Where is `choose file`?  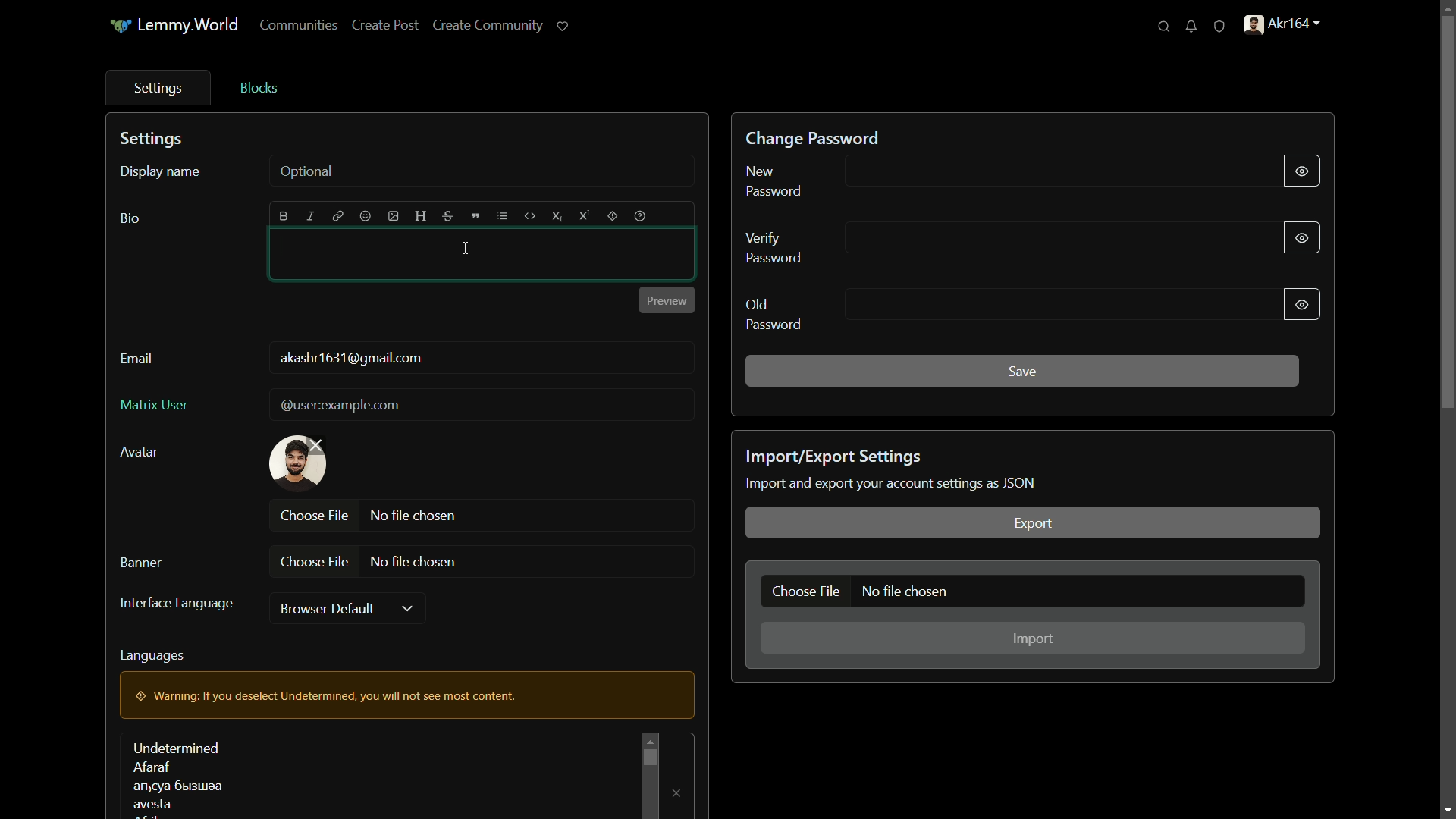
choose file is located at coordinates (315, 516).